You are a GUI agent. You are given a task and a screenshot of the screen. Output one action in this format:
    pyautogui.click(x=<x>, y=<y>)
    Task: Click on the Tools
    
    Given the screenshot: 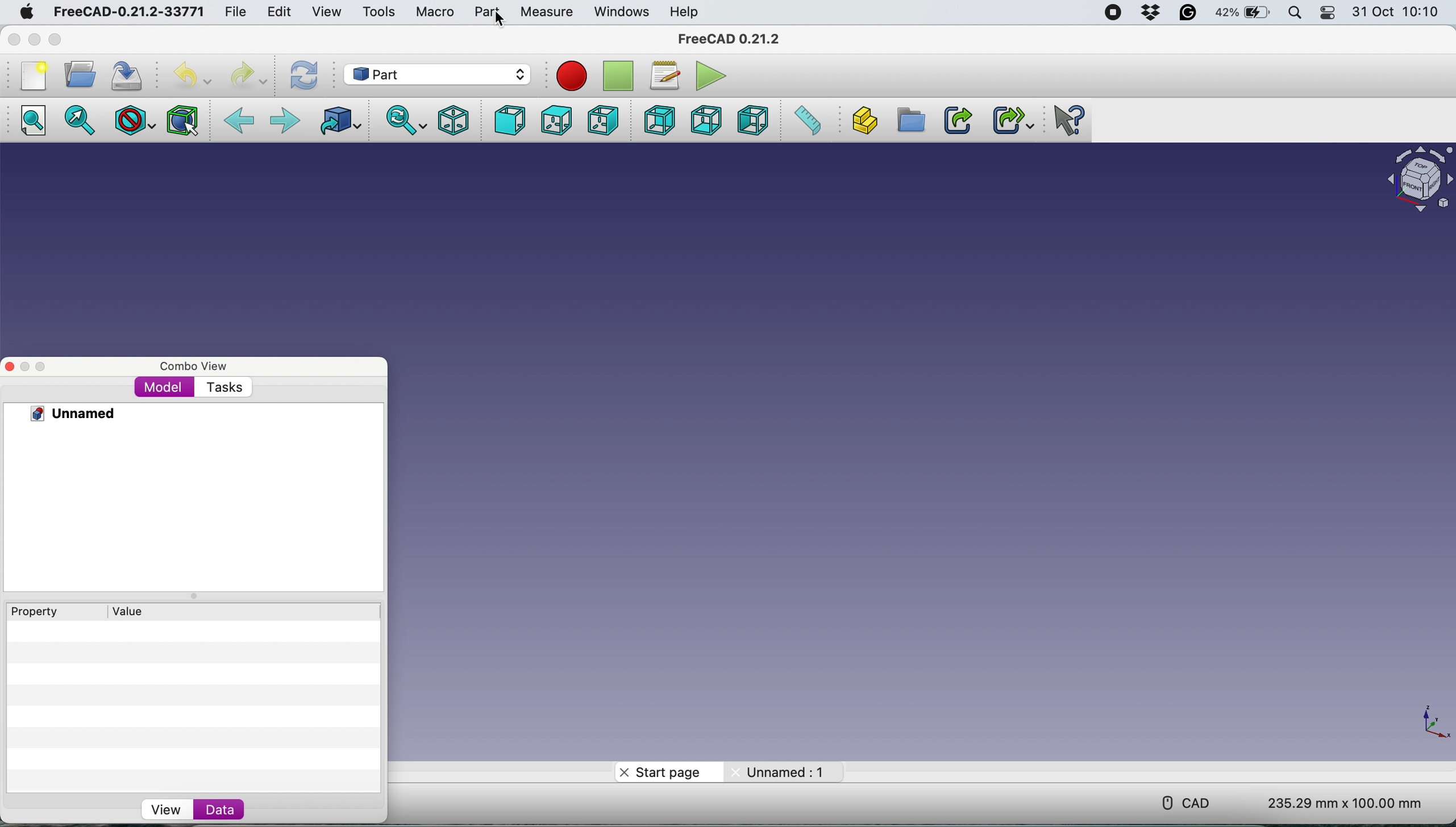 What is the action you would take?
    pyautogui.click(x=381, y=11)
    